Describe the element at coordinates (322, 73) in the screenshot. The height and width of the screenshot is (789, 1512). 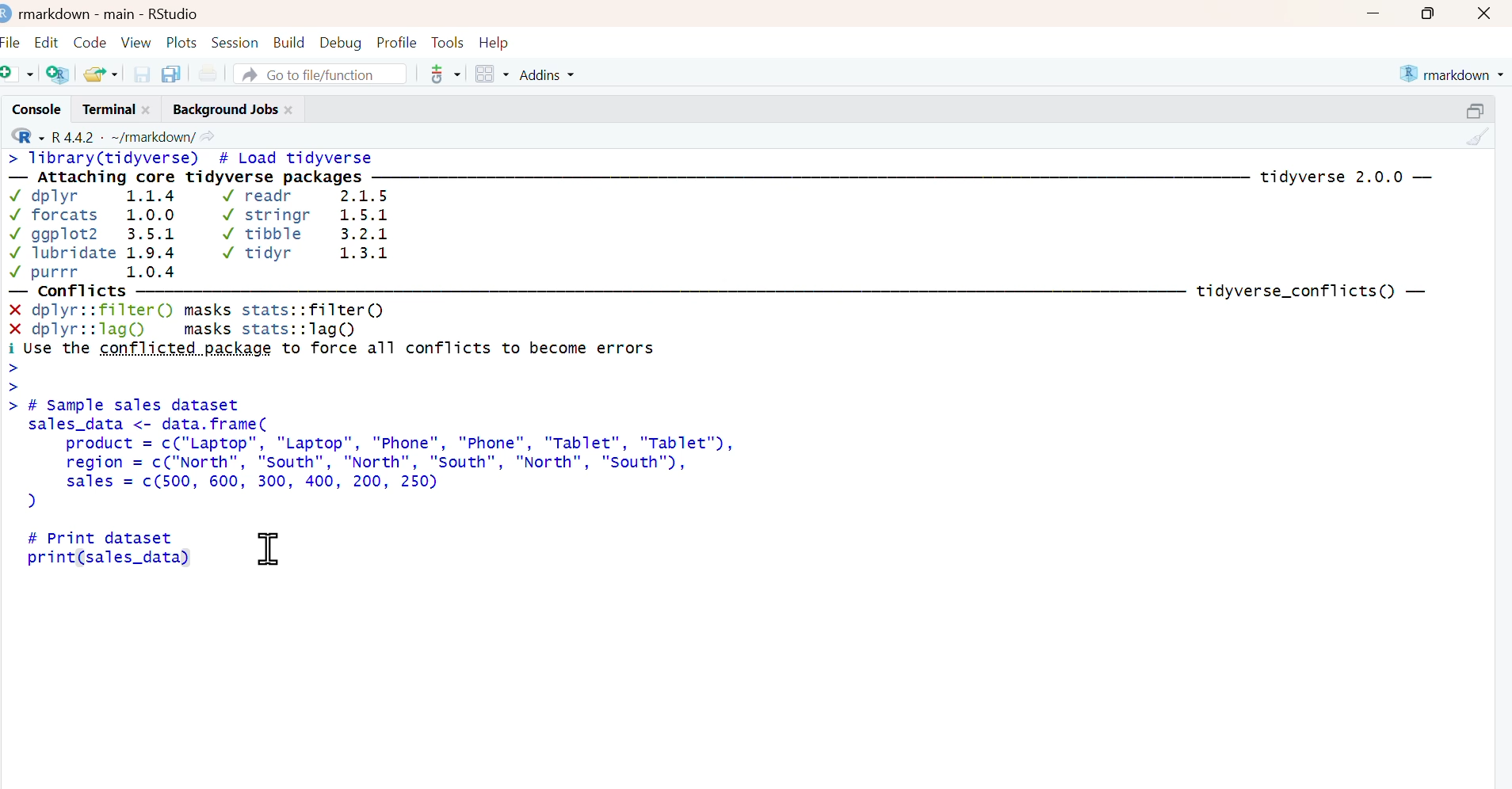
I see `Go to file/function` at that location.